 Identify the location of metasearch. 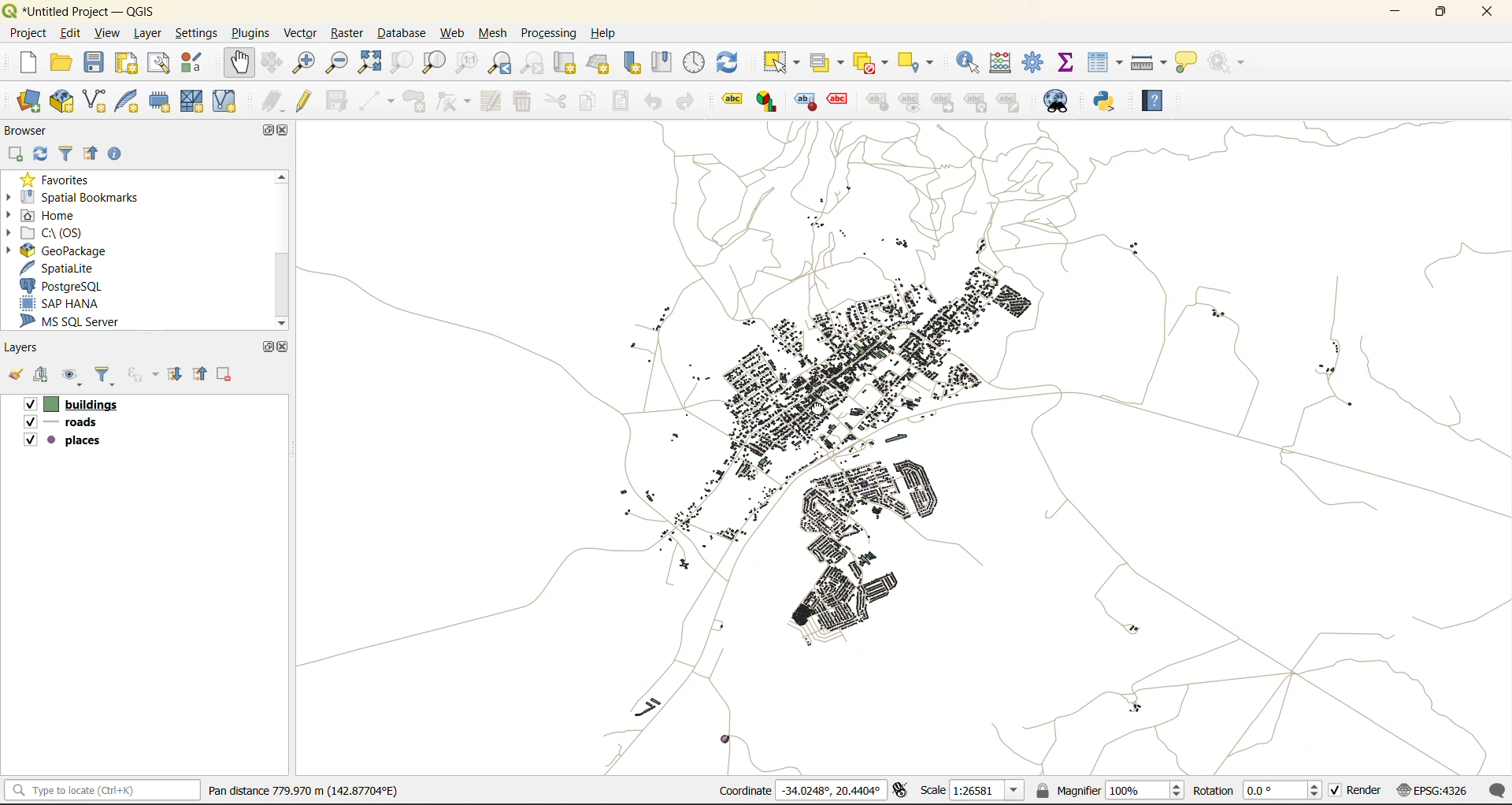
(1056, 99).